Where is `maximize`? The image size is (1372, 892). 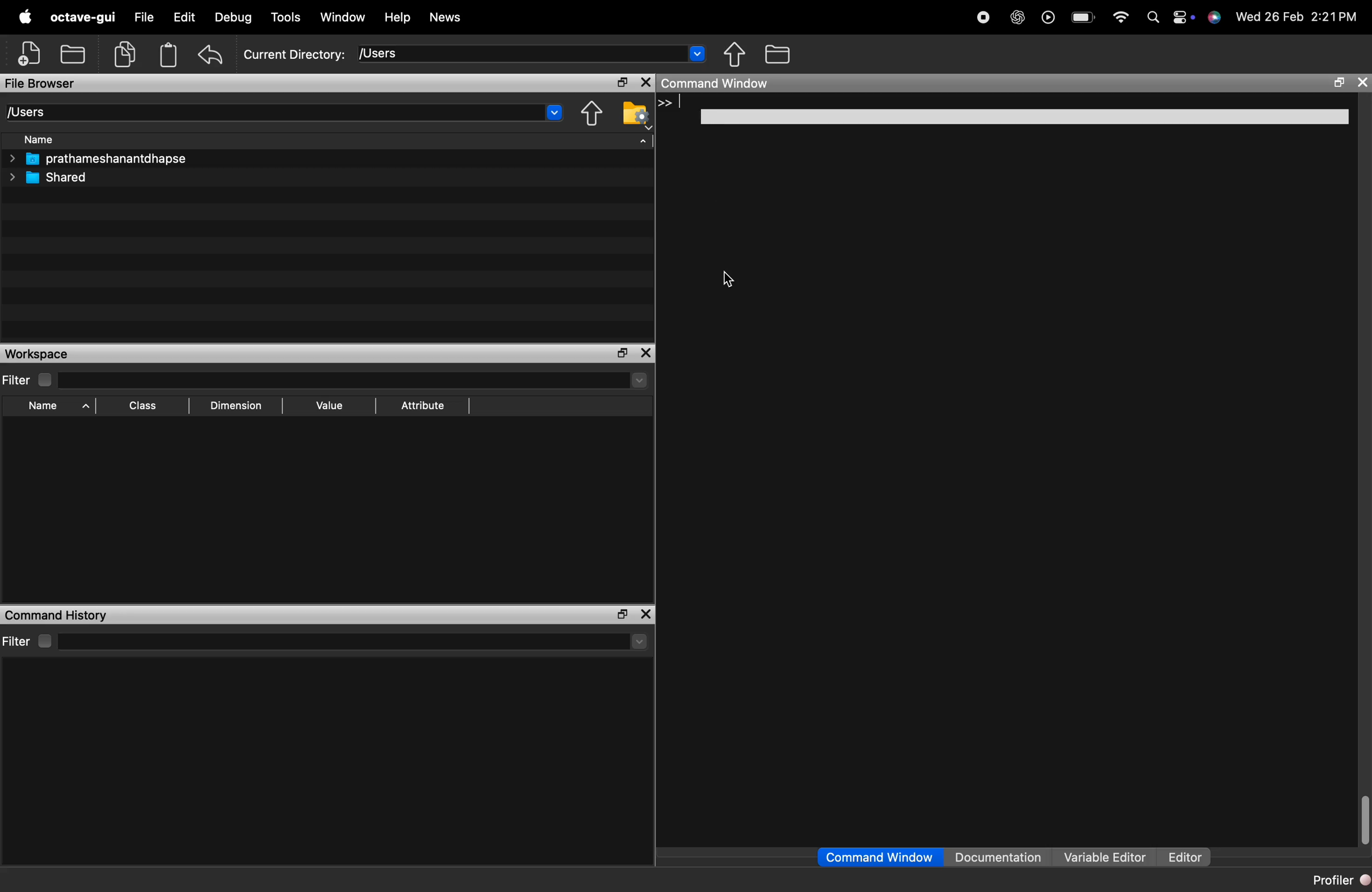
maximize is located at coordinates (1336, 80).